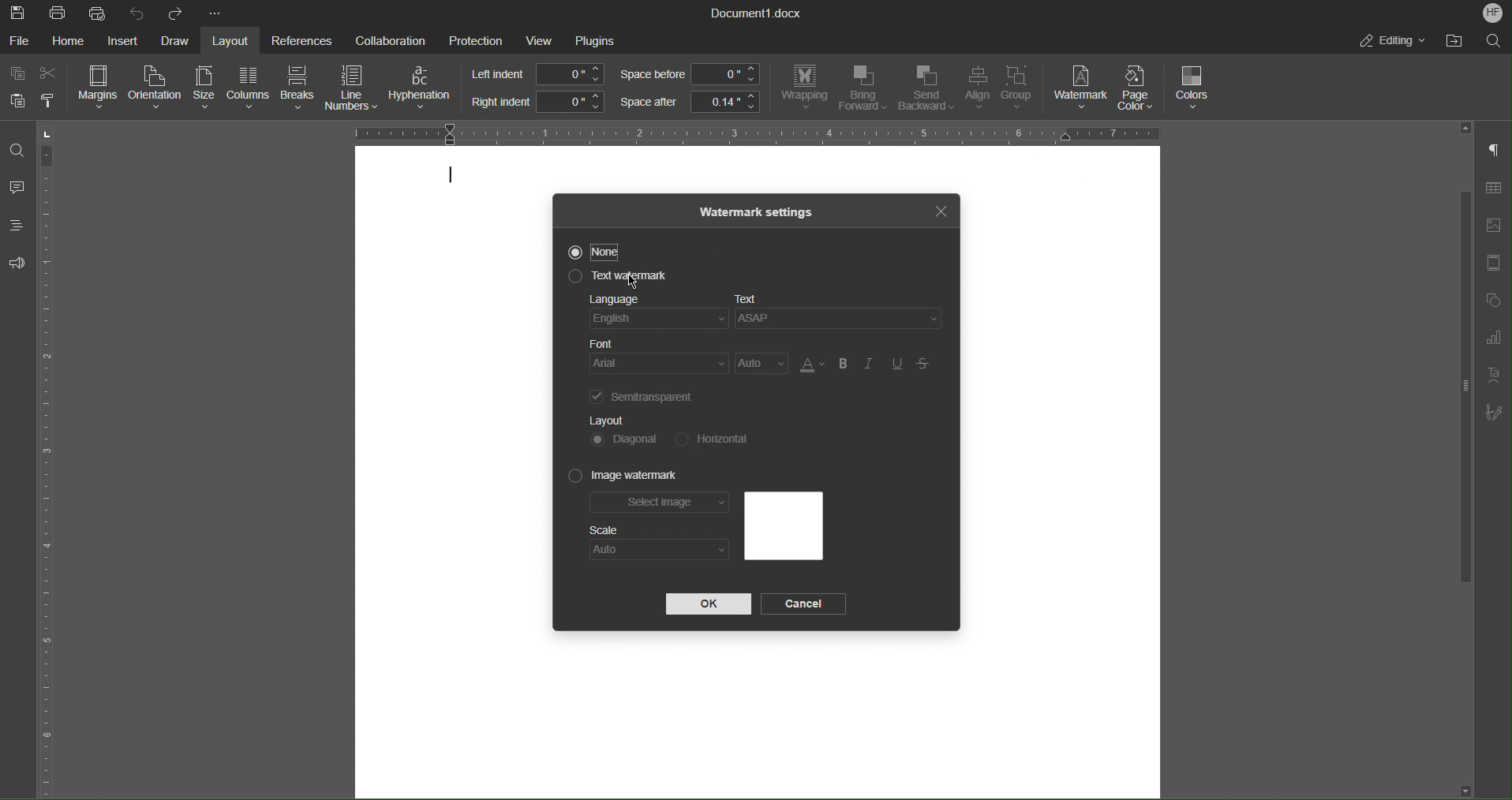  What do you see at coordinates (743, 132) in the screenshot?
I see `Horizontal Ruler` at bounding box center [743, 132].